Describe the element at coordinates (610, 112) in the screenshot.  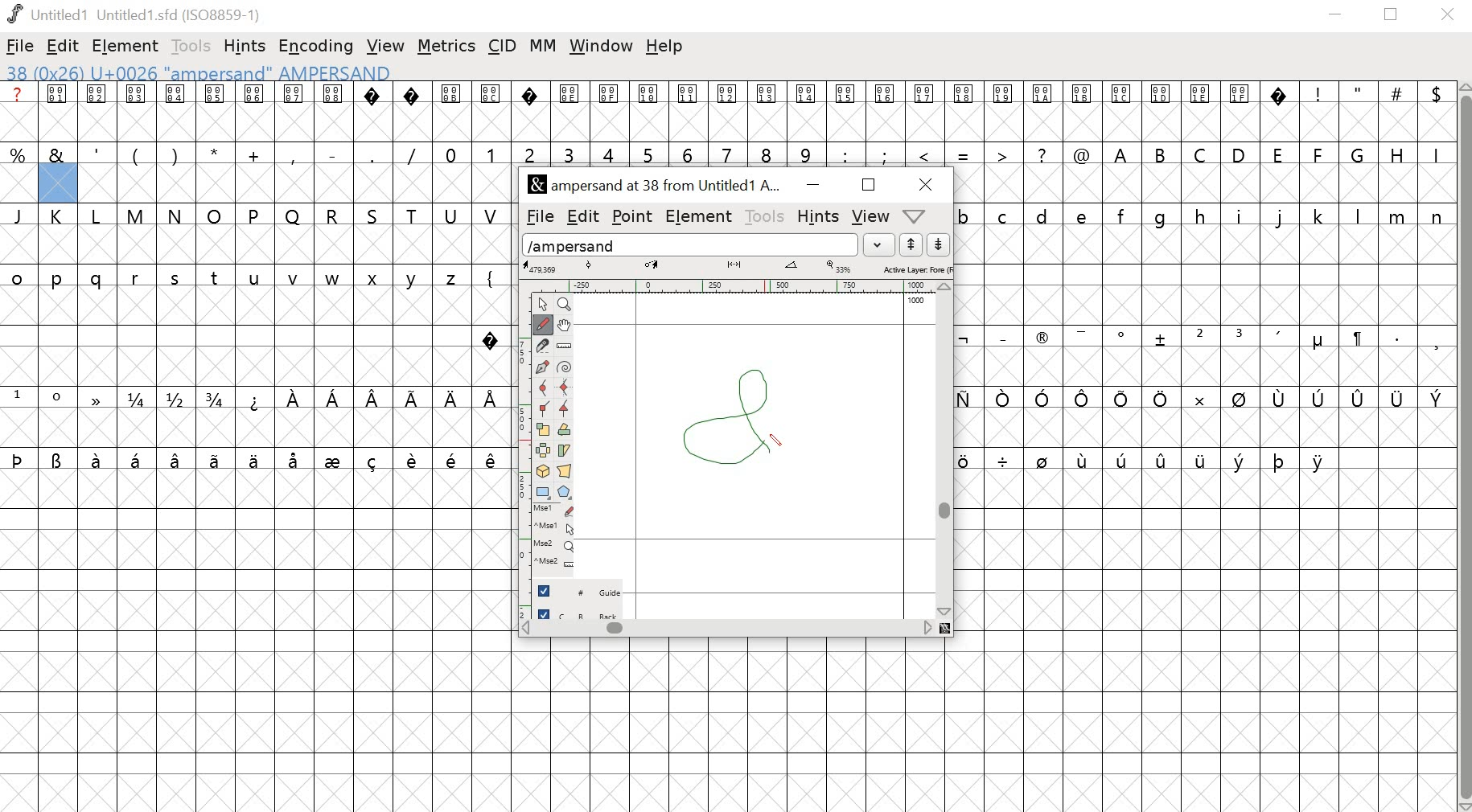
I see `000F` at that location.